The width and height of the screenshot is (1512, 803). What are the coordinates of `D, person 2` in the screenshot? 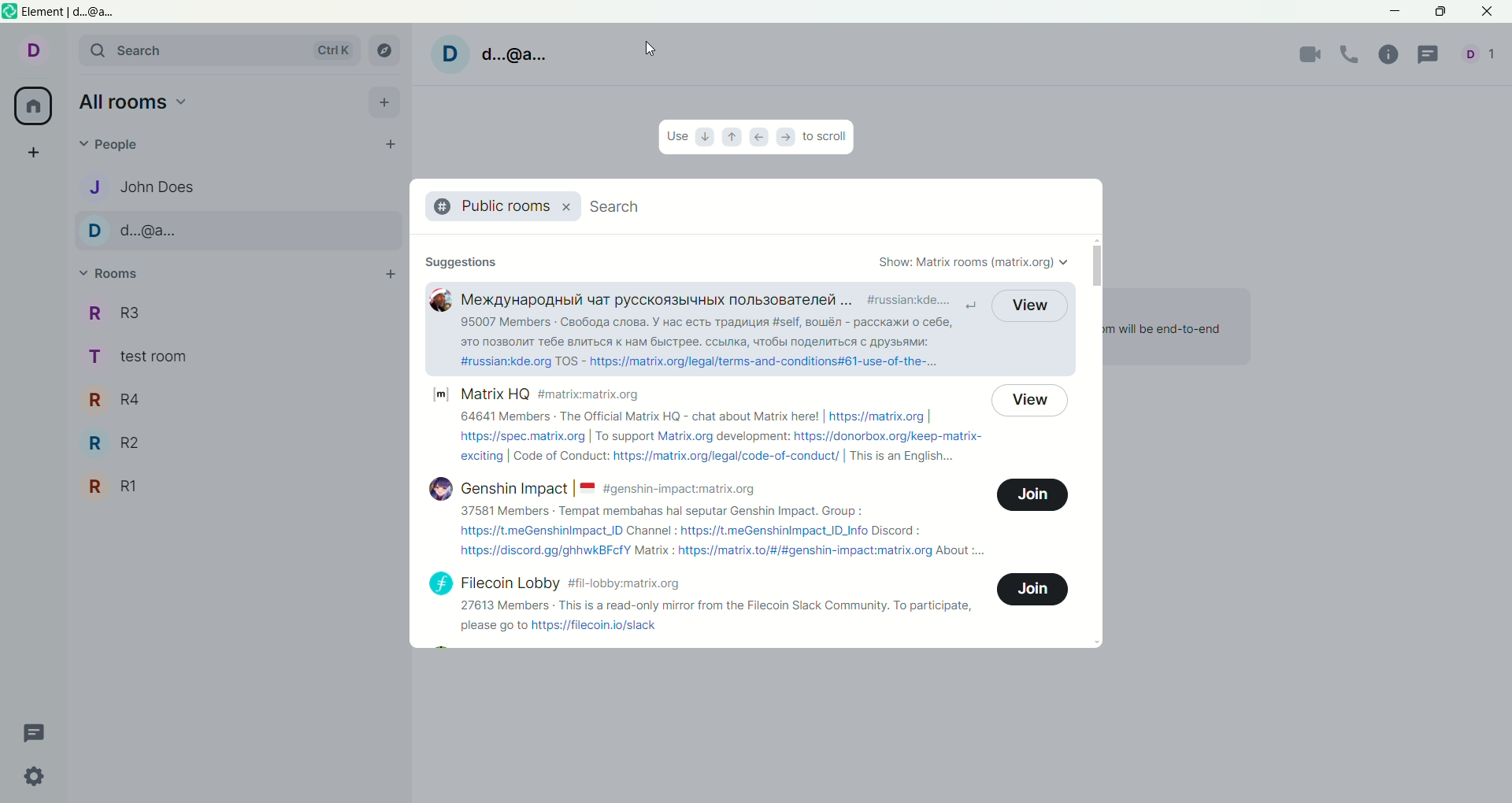 It's located at (235, 231).